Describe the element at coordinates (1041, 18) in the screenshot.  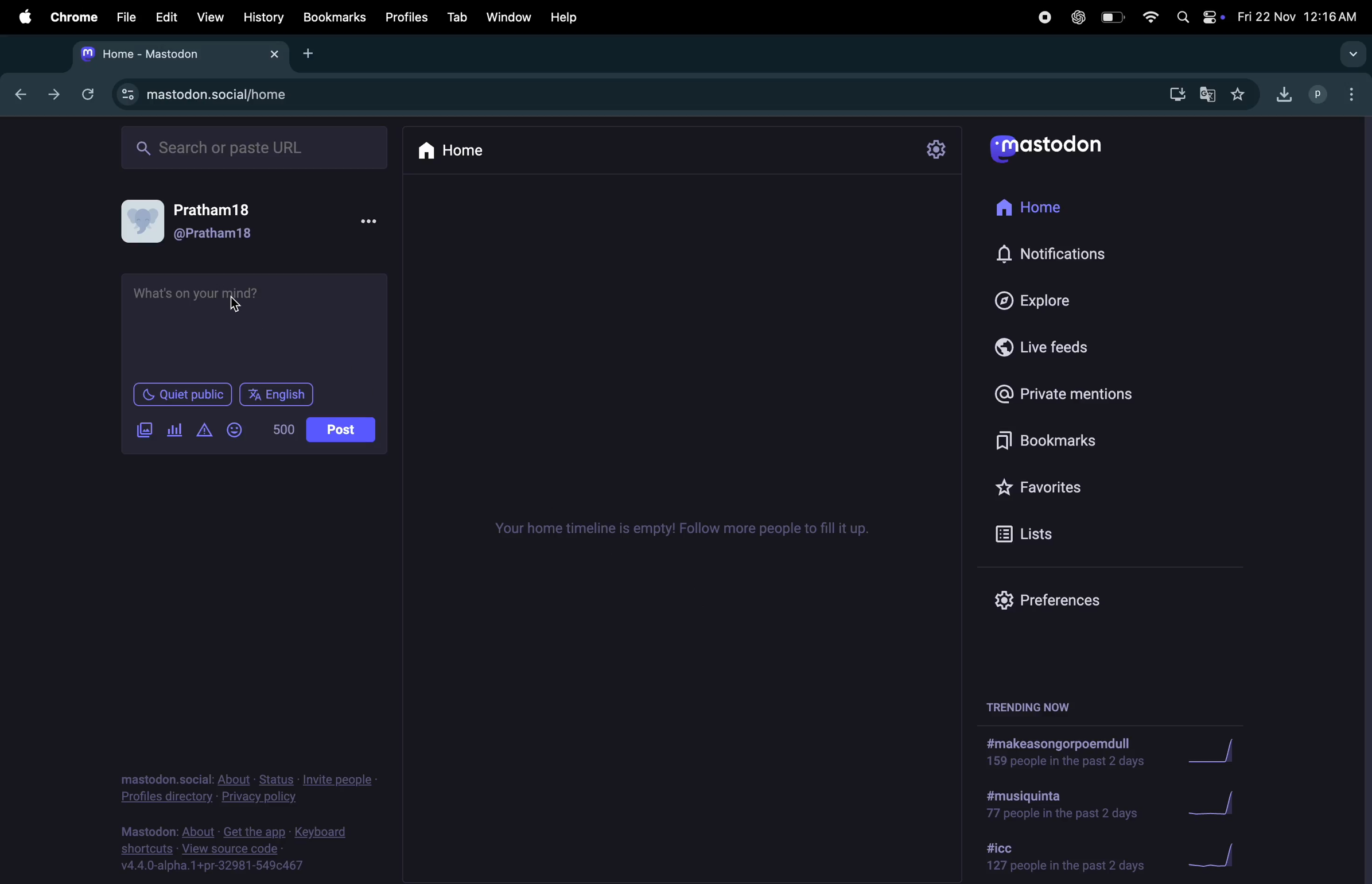
I see `record` at that location.